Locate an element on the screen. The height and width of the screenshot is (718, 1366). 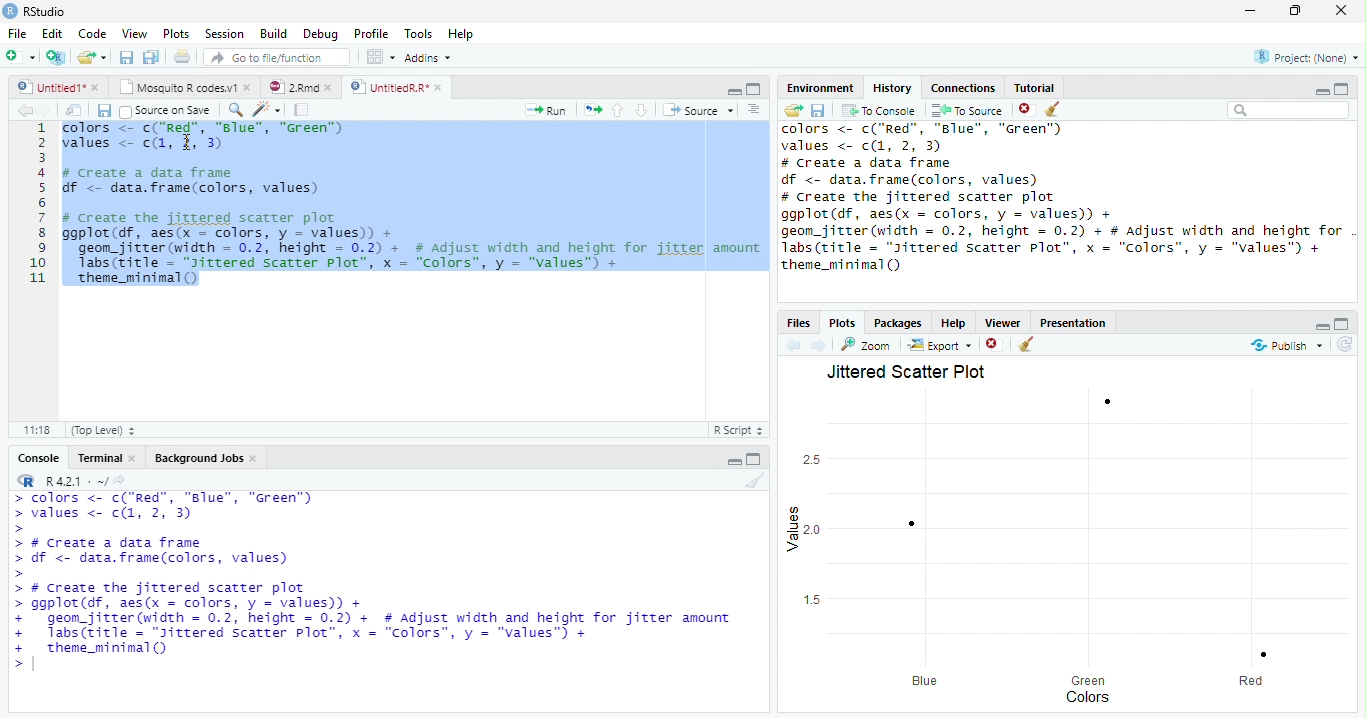
Jittered Scatter Plot is located at coordinates (908, 371).